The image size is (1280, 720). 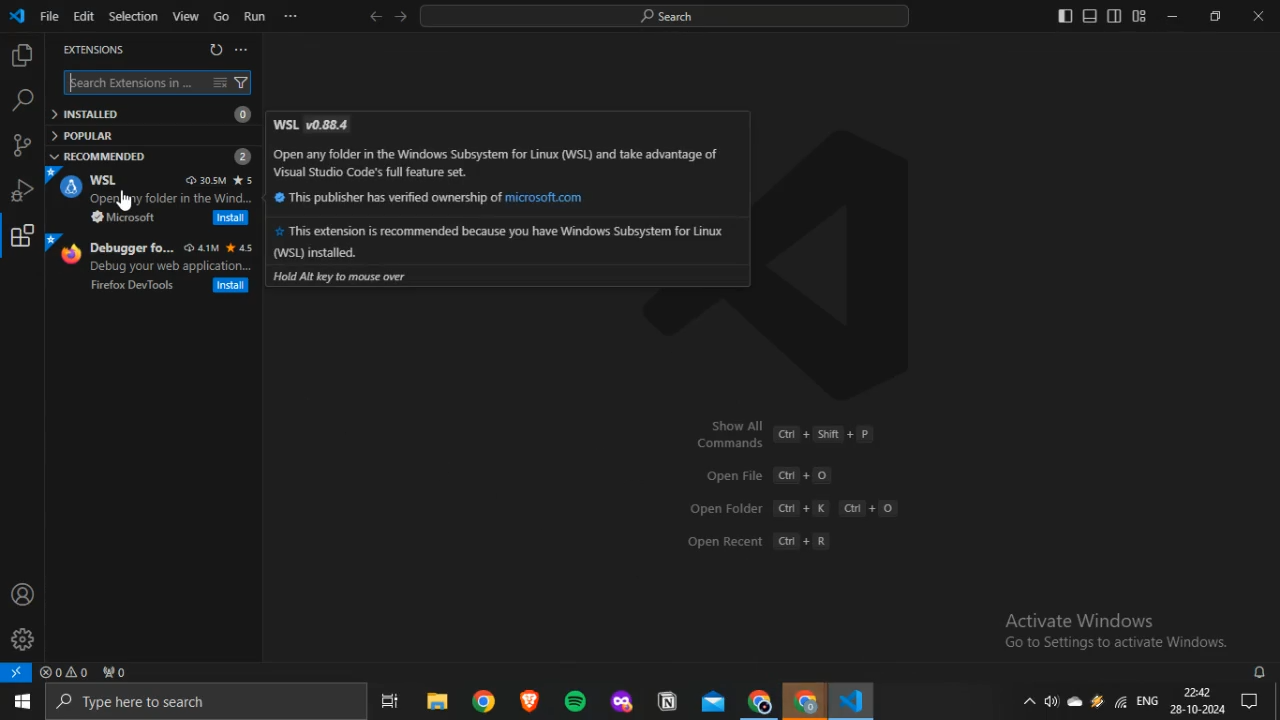 I want to click on Open file Ctrl + O, so click(x=770, y=476).